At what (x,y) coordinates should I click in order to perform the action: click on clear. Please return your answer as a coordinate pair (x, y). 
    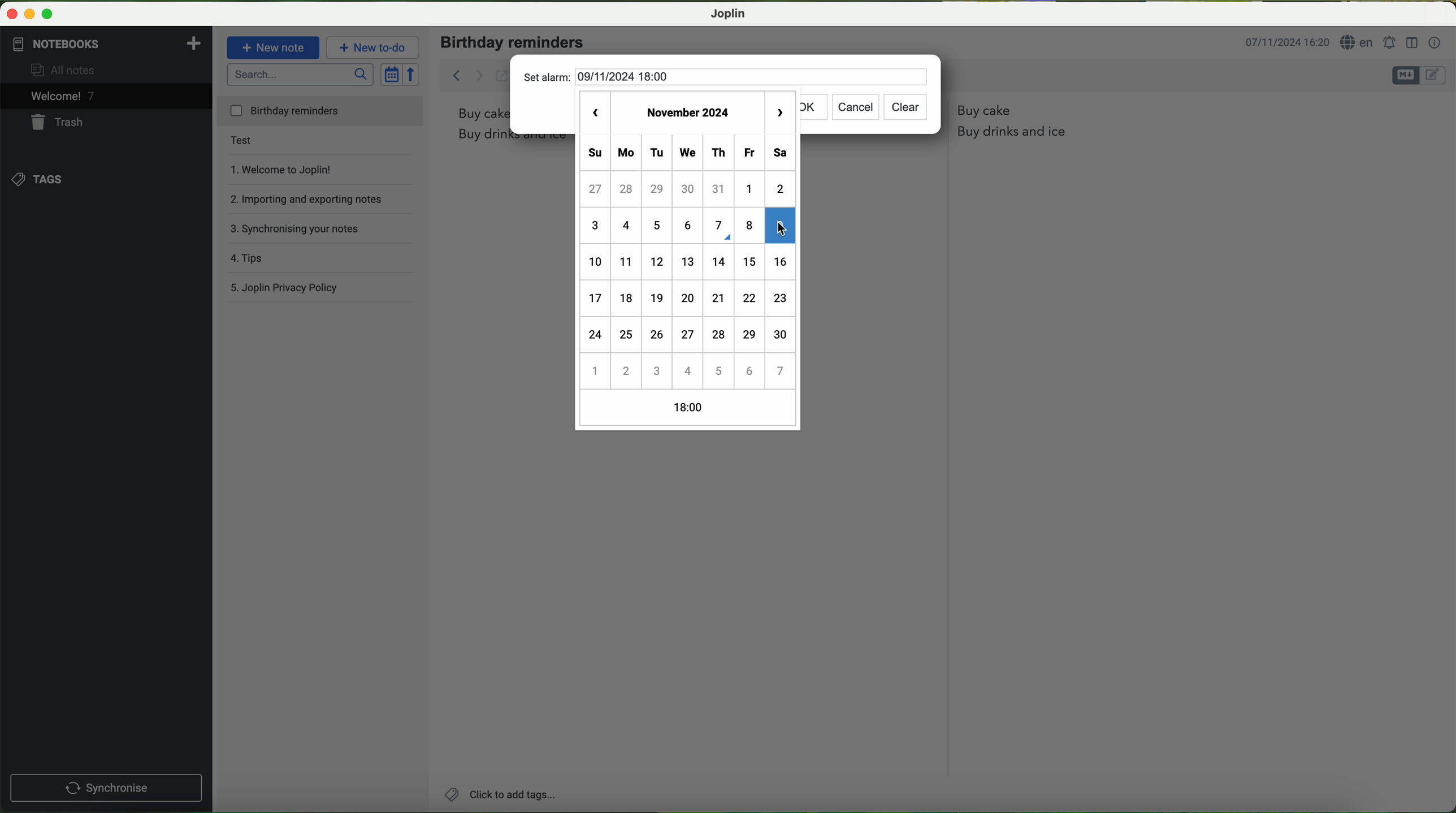
    Looking at the image, I should click on (903, 106).